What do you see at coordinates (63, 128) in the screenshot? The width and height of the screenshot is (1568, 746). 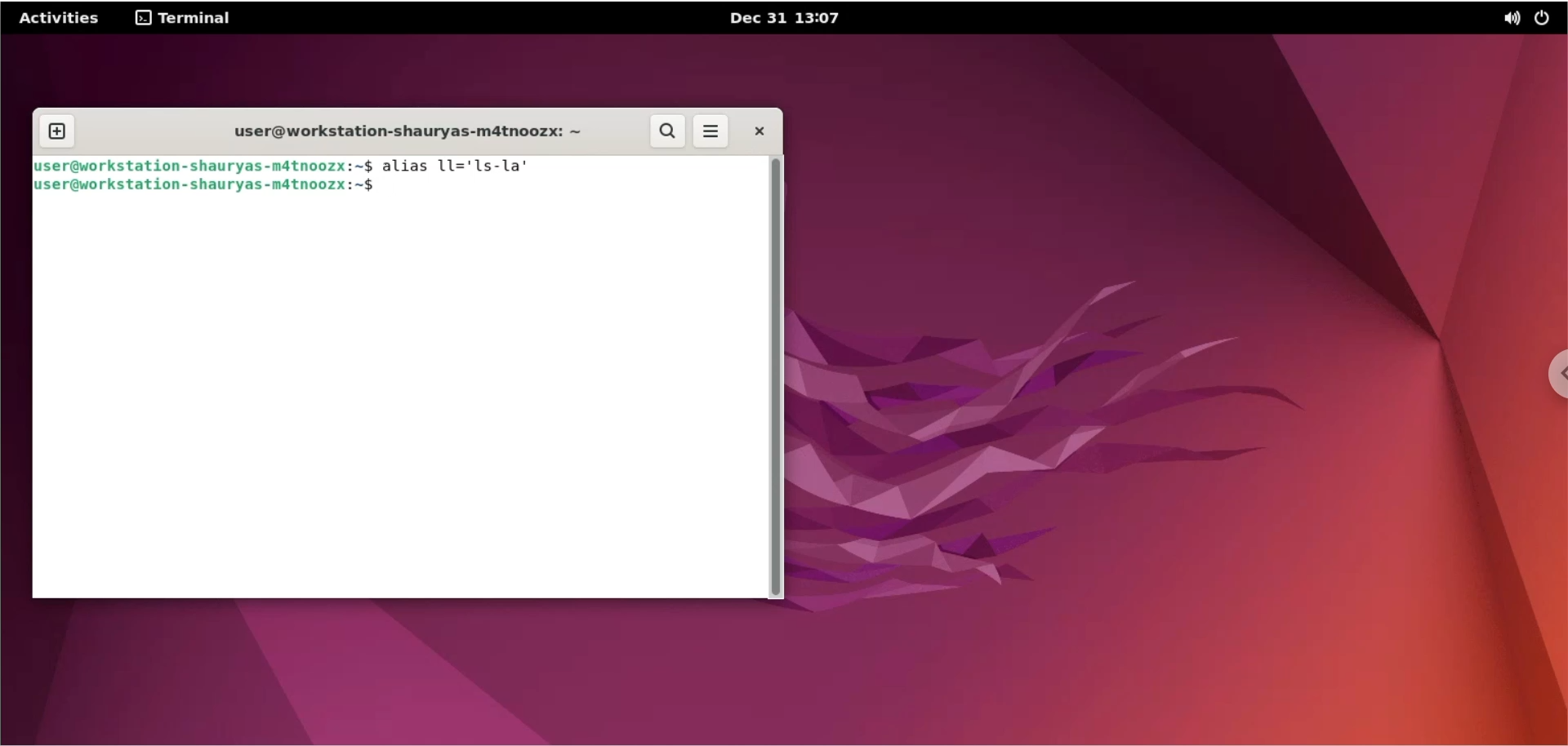 I see `new tab` at bounding box center [63, 128].